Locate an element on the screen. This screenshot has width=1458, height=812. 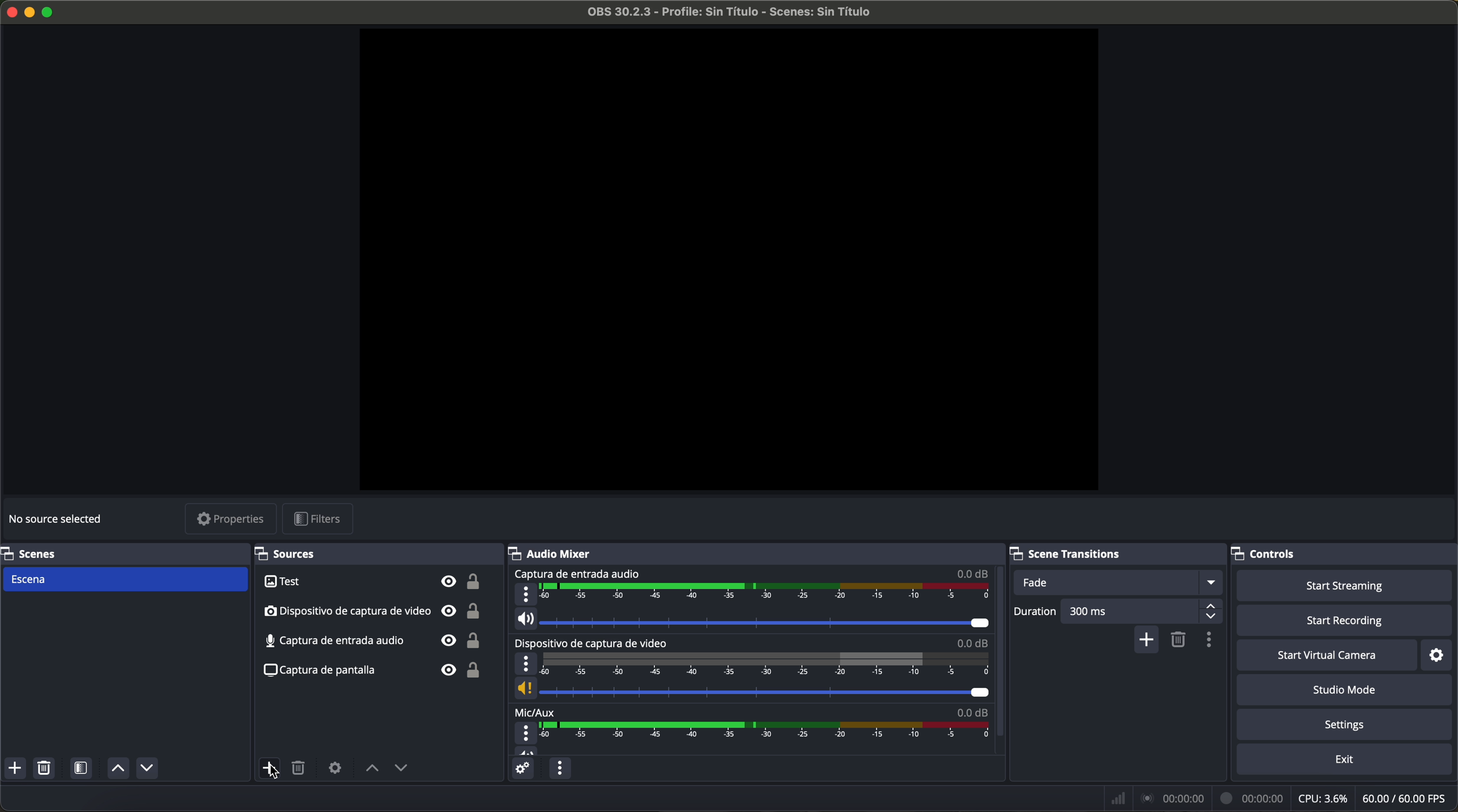
timeline is located at coordinates (764, 664).